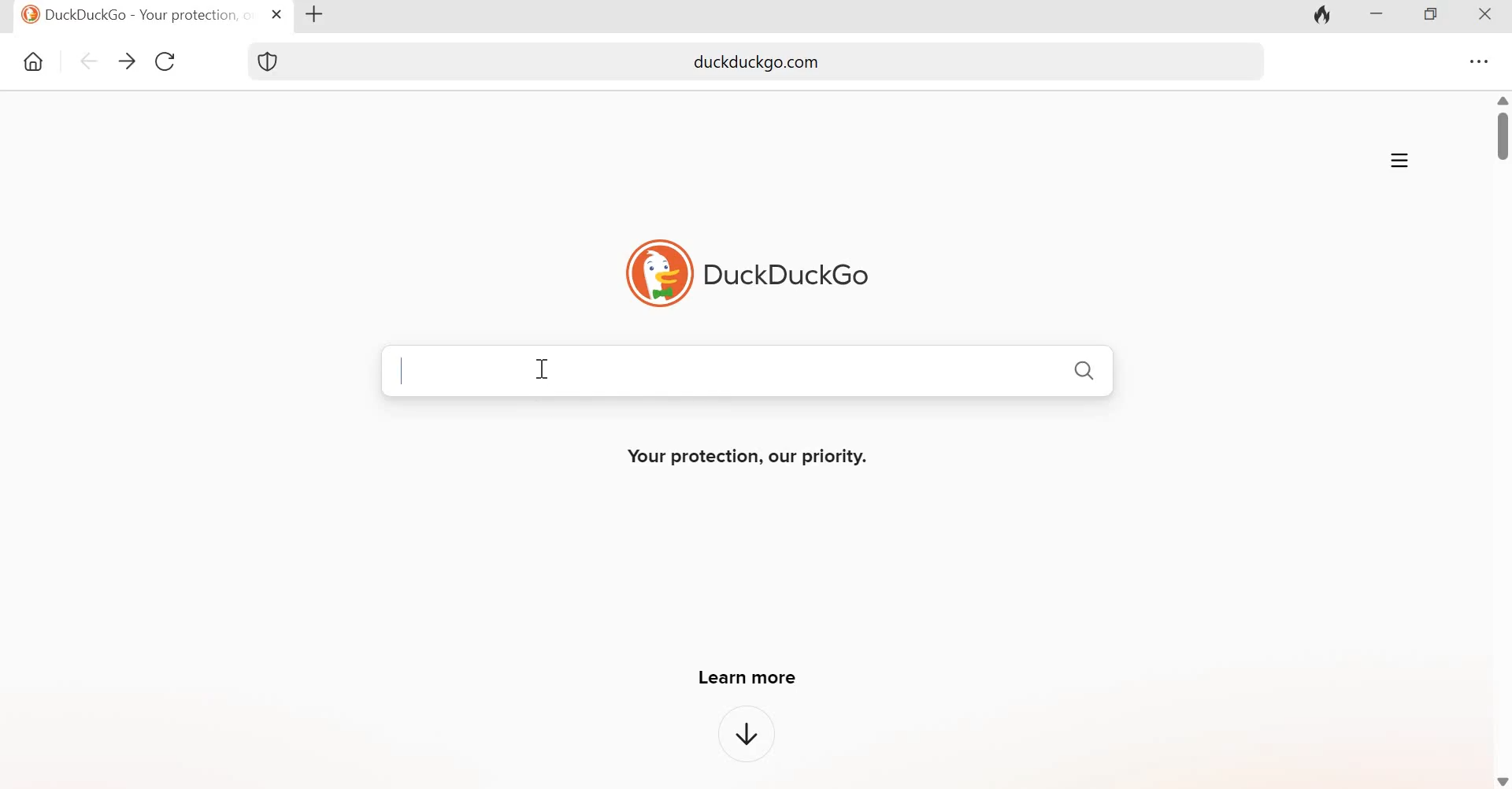  I want to click on Your protection, our priority. , so click(757, 459).